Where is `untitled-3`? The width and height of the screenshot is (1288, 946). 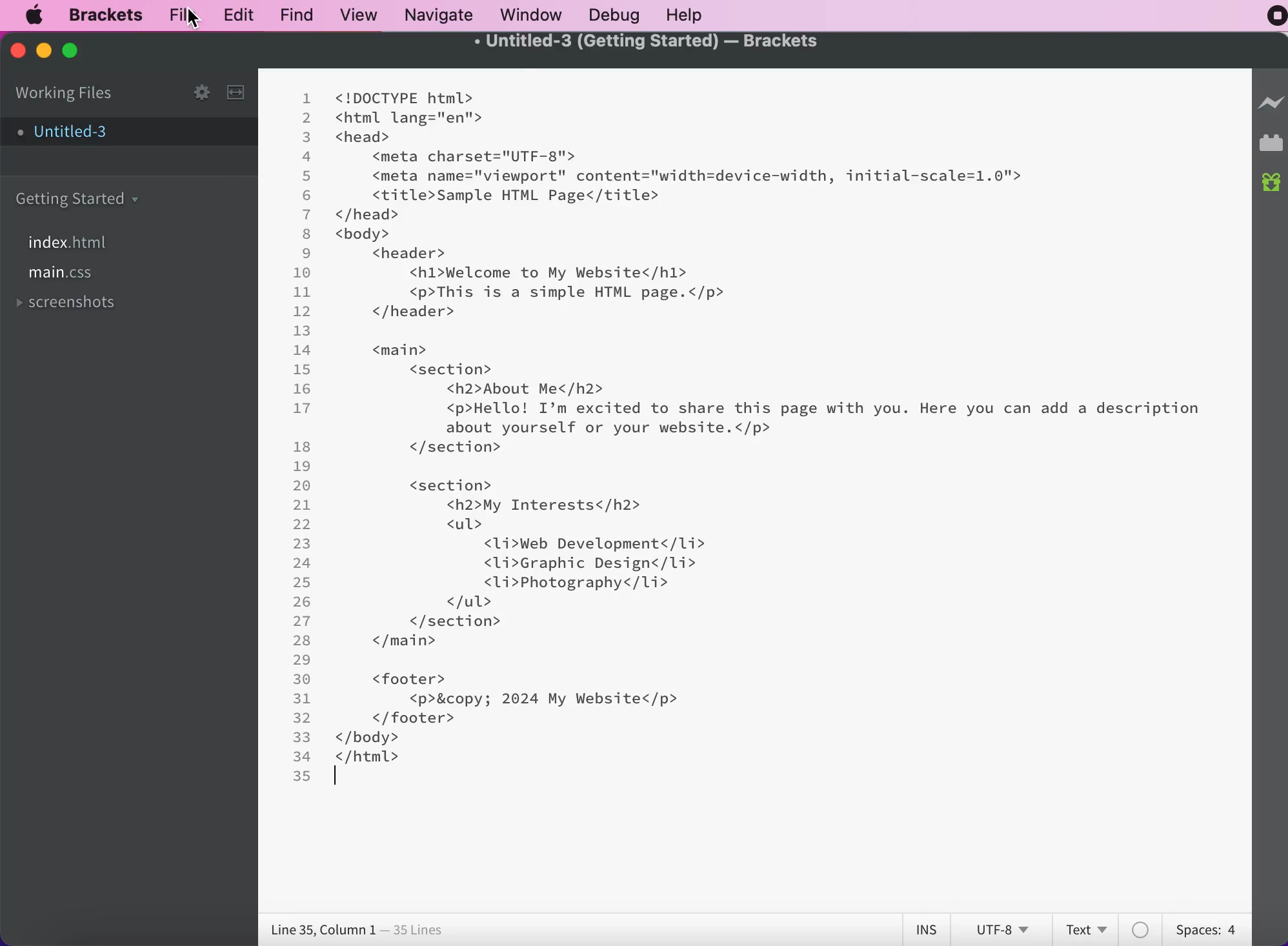
untitled-3 is located at coordinates (124, 133).